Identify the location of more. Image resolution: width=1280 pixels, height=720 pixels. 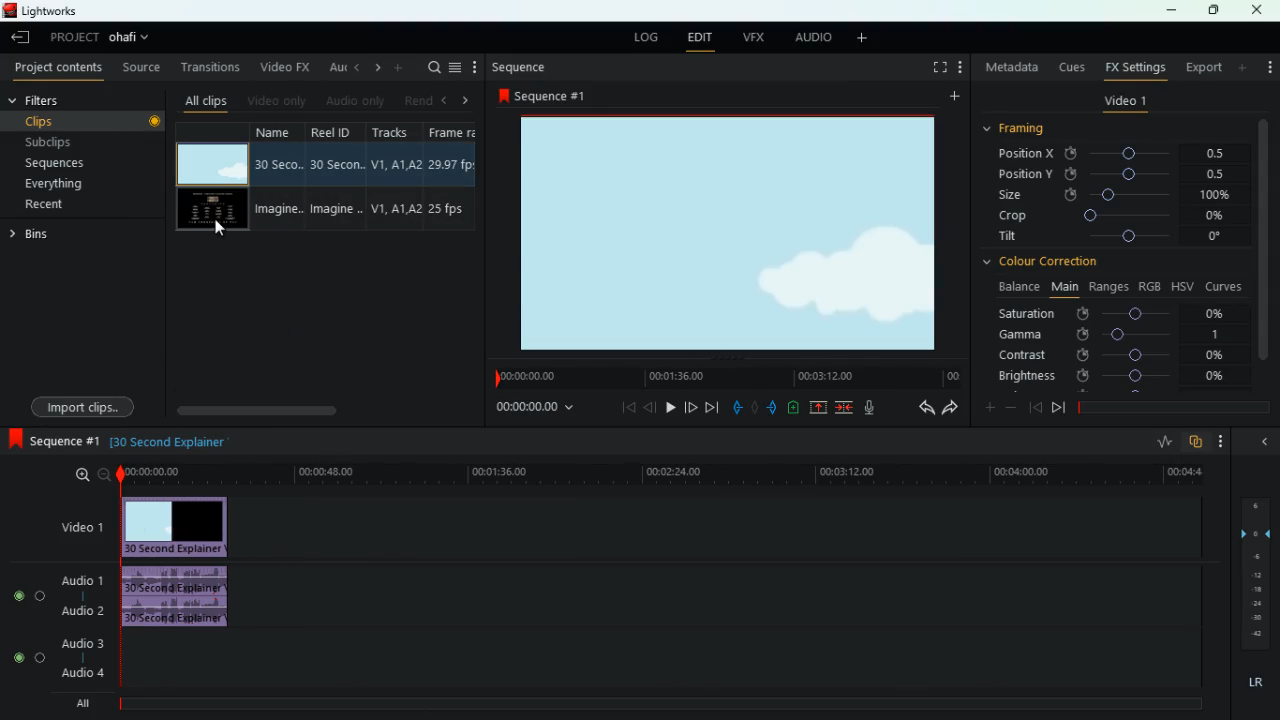
(866, 39).